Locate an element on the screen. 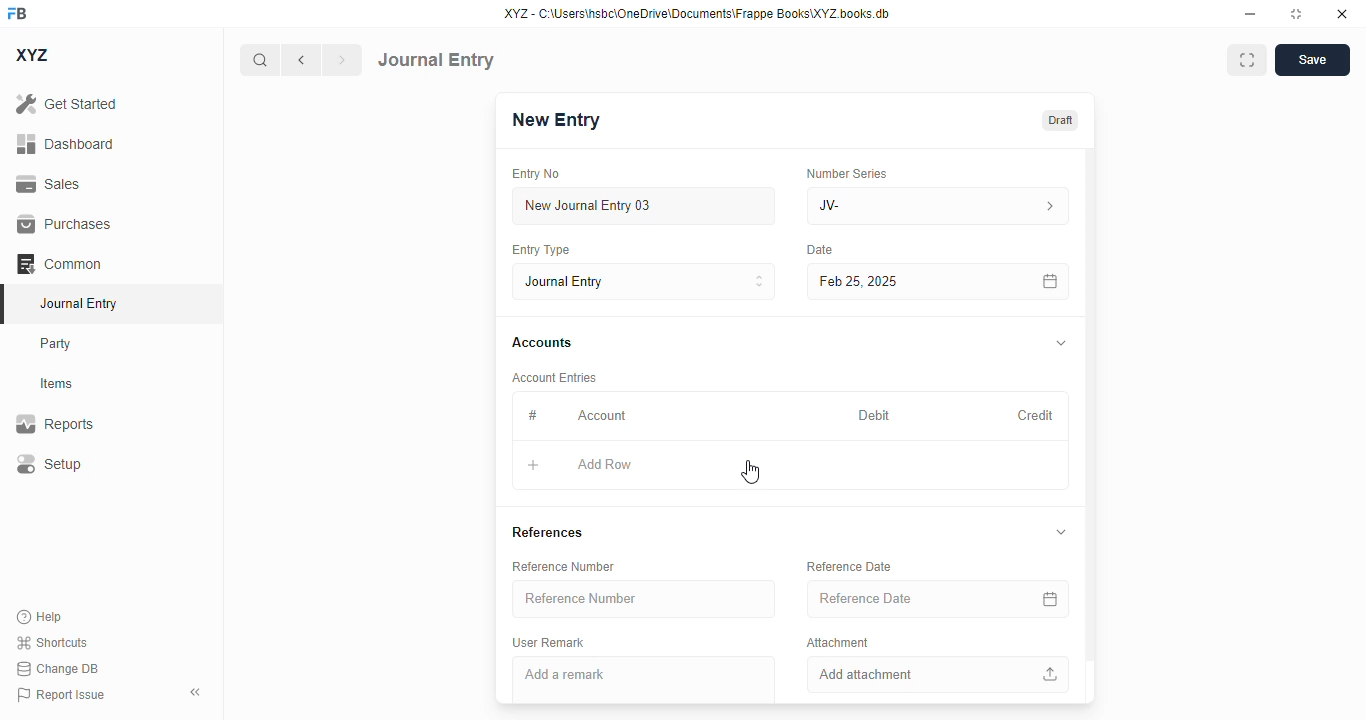  add a remark is located at coordinates (644, 680).